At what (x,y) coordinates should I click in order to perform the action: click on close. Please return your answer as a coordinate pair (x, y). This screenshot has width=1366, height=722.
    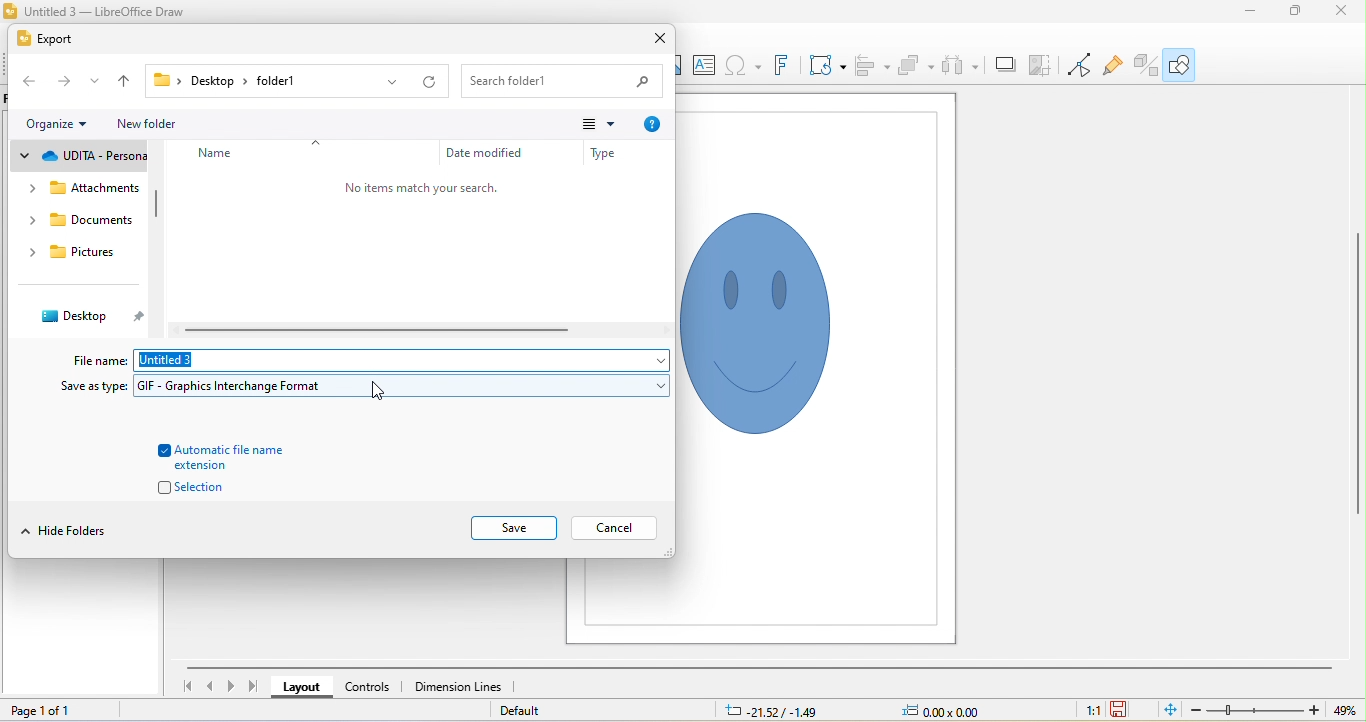
    Looking at the image, I should click on (1341, 15).